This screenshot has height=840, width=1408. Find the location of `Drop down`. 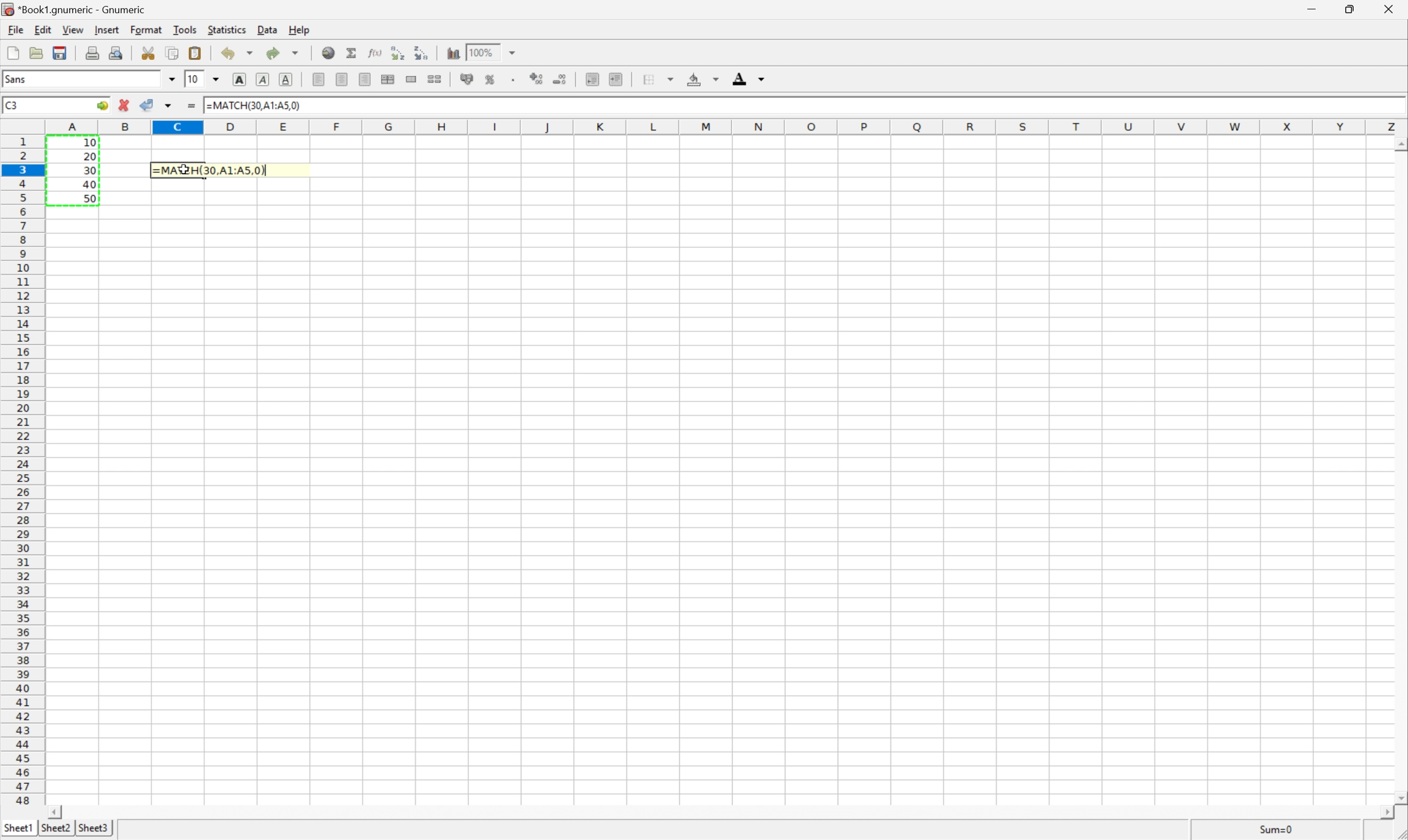

Drop down is located at coordinates (761, 79).